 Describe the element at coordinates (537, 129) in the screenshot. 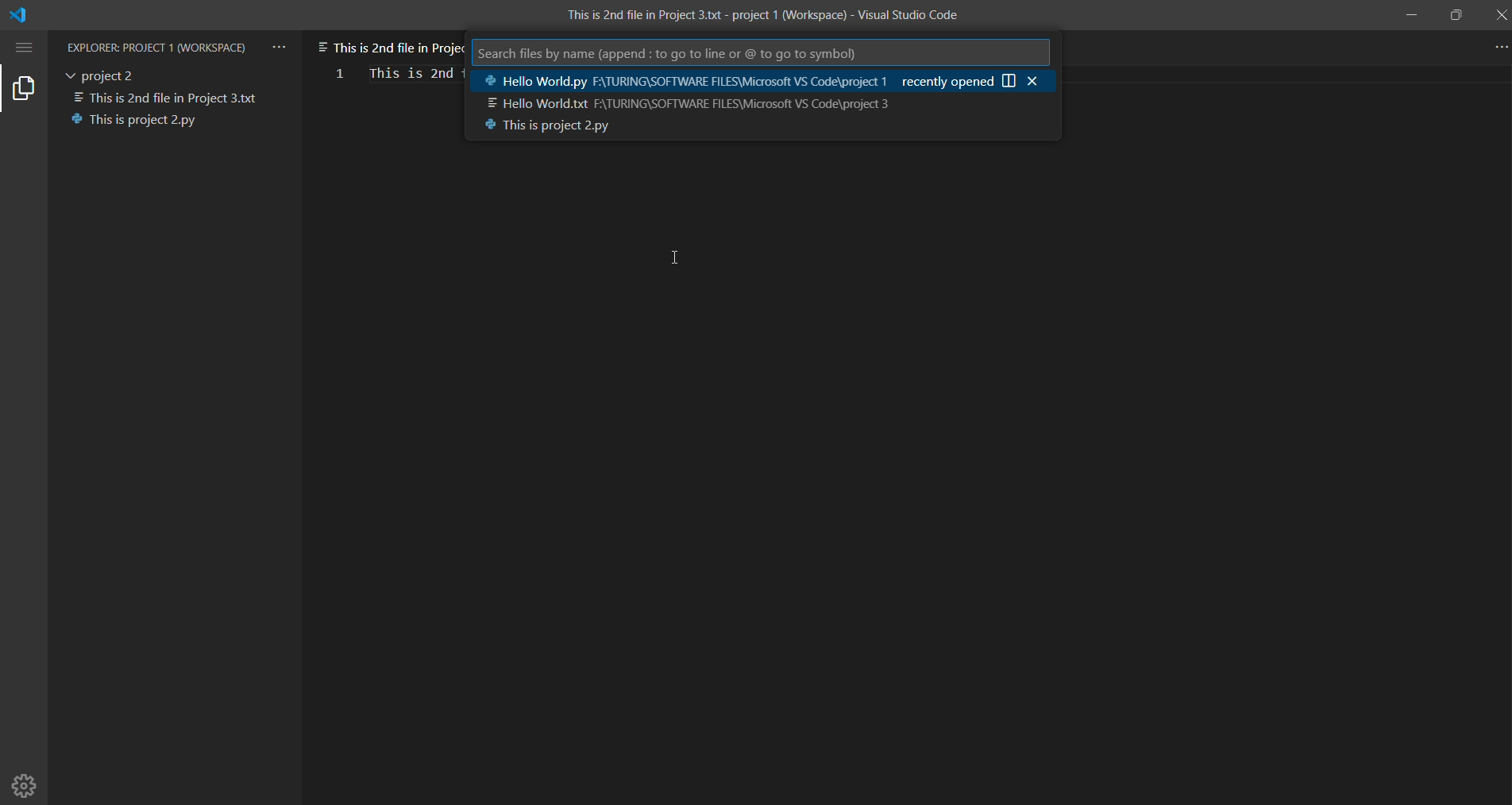

I see `This is project 2.py` at that location.